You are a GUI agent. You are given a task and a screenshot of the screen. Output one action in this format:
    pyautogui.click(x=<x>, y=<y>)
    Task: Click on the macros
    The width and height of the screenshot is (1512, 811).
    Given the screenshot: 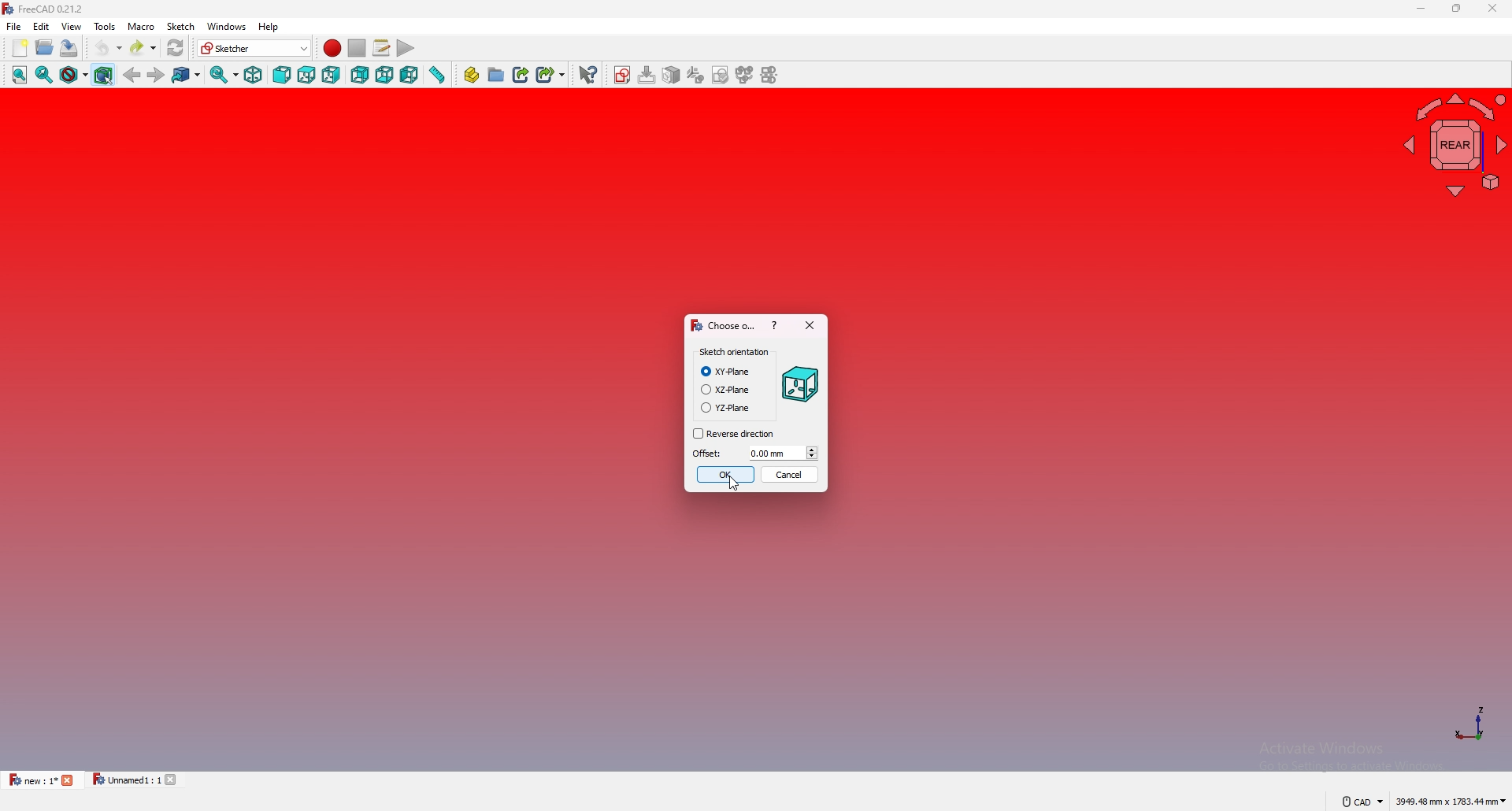 What is the action you would take?
    pyautogui.click(x=381, y=48)
    